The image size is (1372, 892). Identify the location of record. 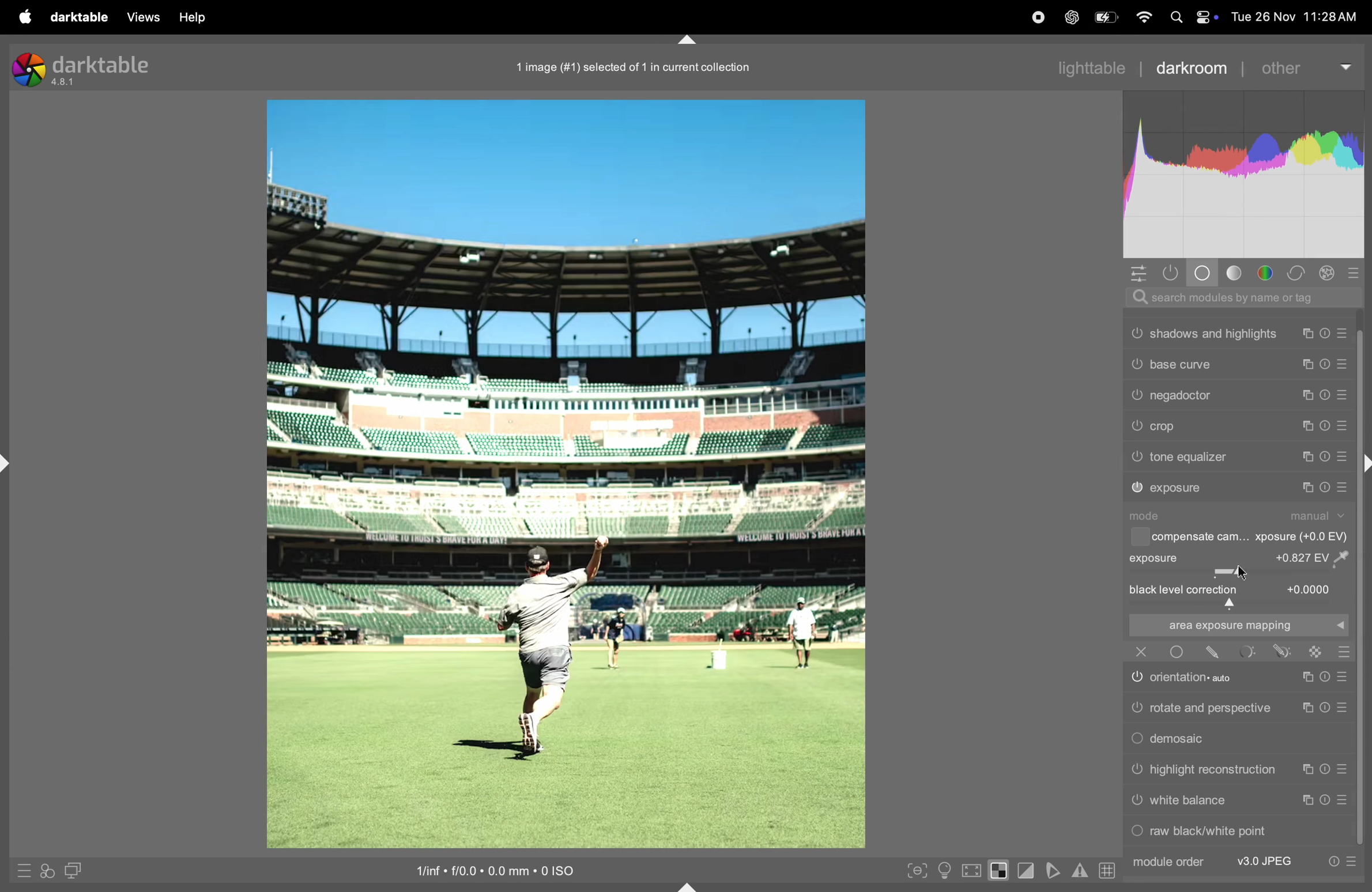
(1037, 17).